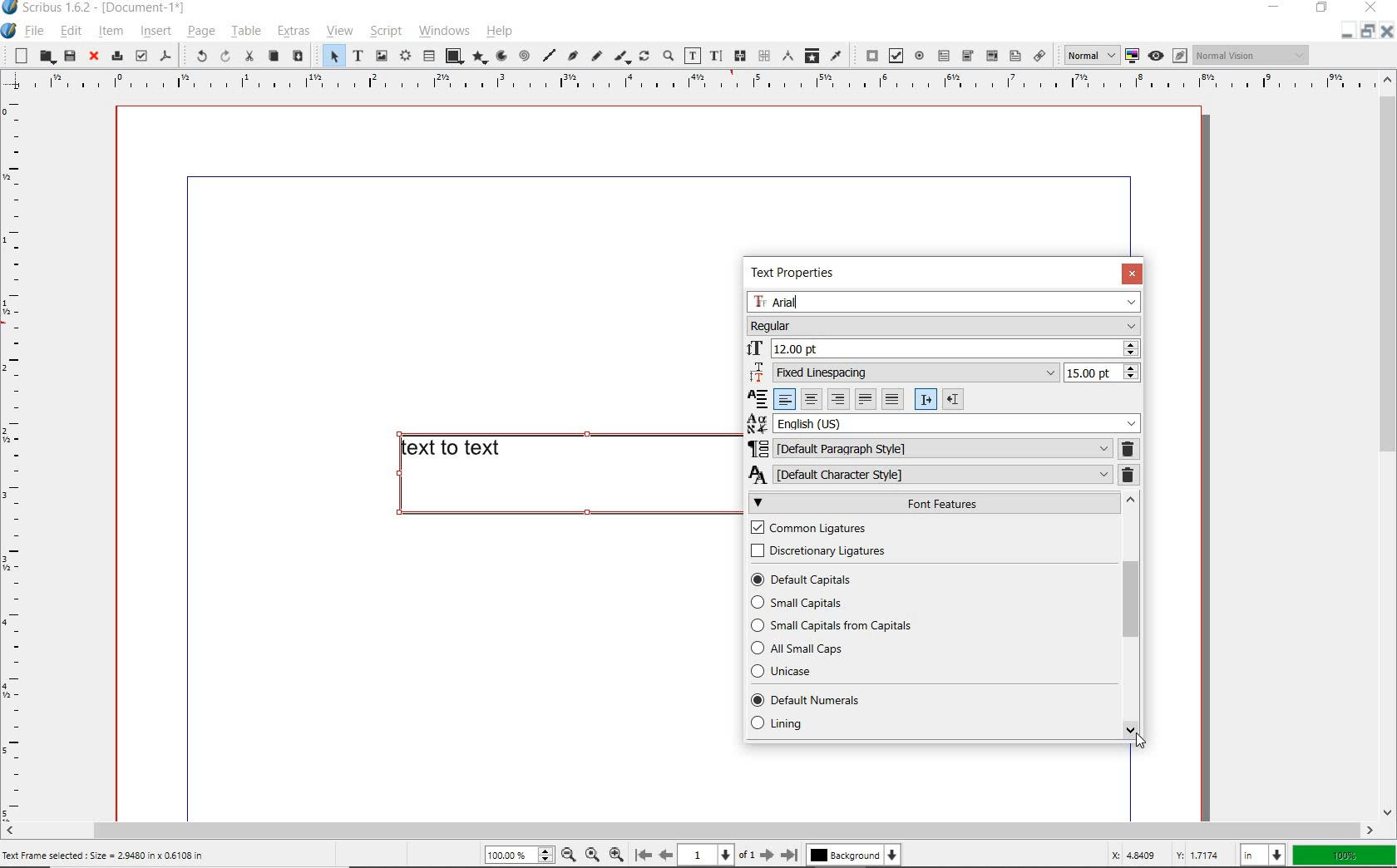  What do you see at coordinates (927, 449) in the screenshot?
I see `DEFAULT PARAGRAPH STYLE` at bounding box center [927, 449].